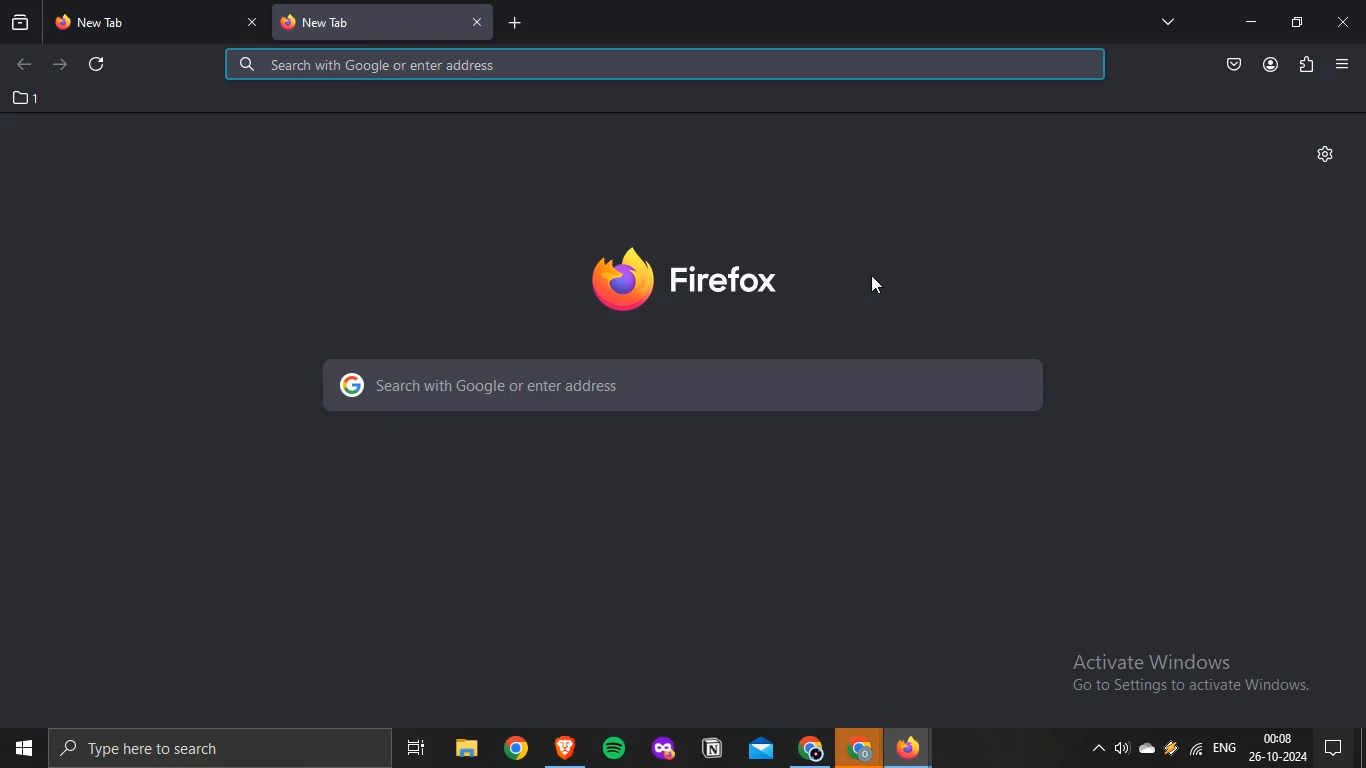 The image size is (1366, 768). I want to click on search google or enter address, so click(665, 66).